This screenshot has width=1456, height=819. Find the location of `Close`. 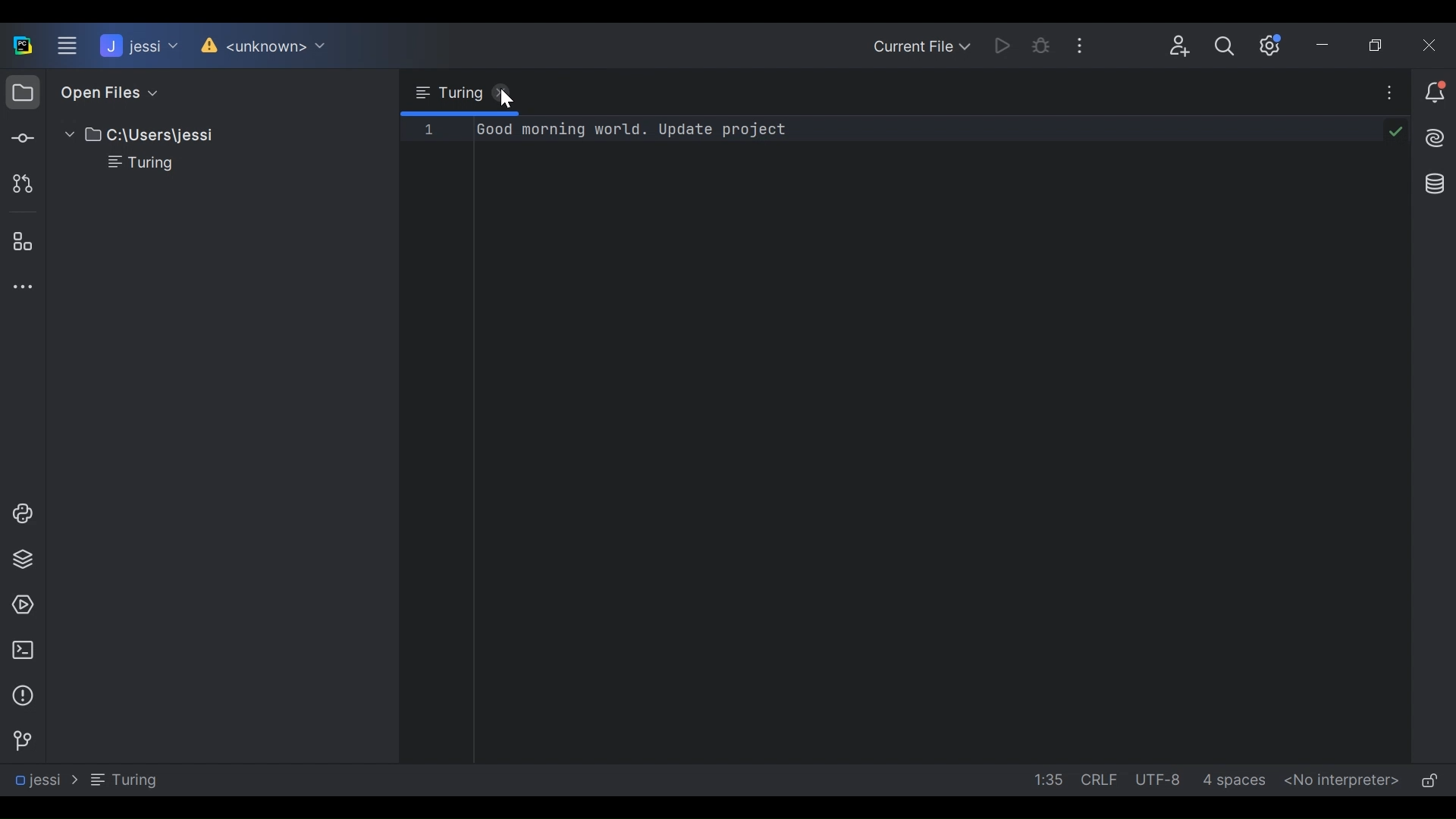

Close is located at coordinates (1430, 45).